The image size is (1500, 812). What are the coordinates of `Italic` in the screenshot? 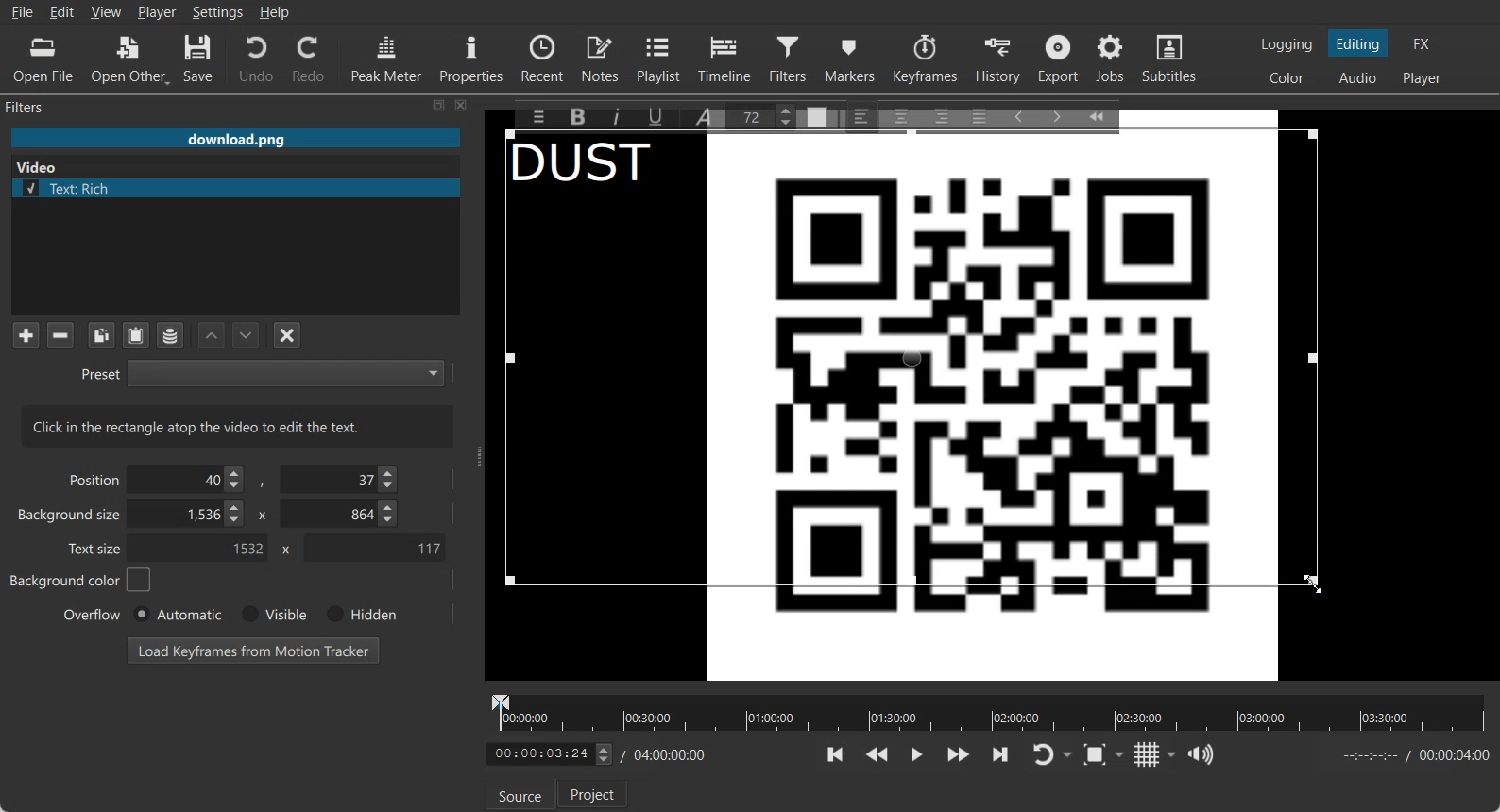 It's located at (620, 114).